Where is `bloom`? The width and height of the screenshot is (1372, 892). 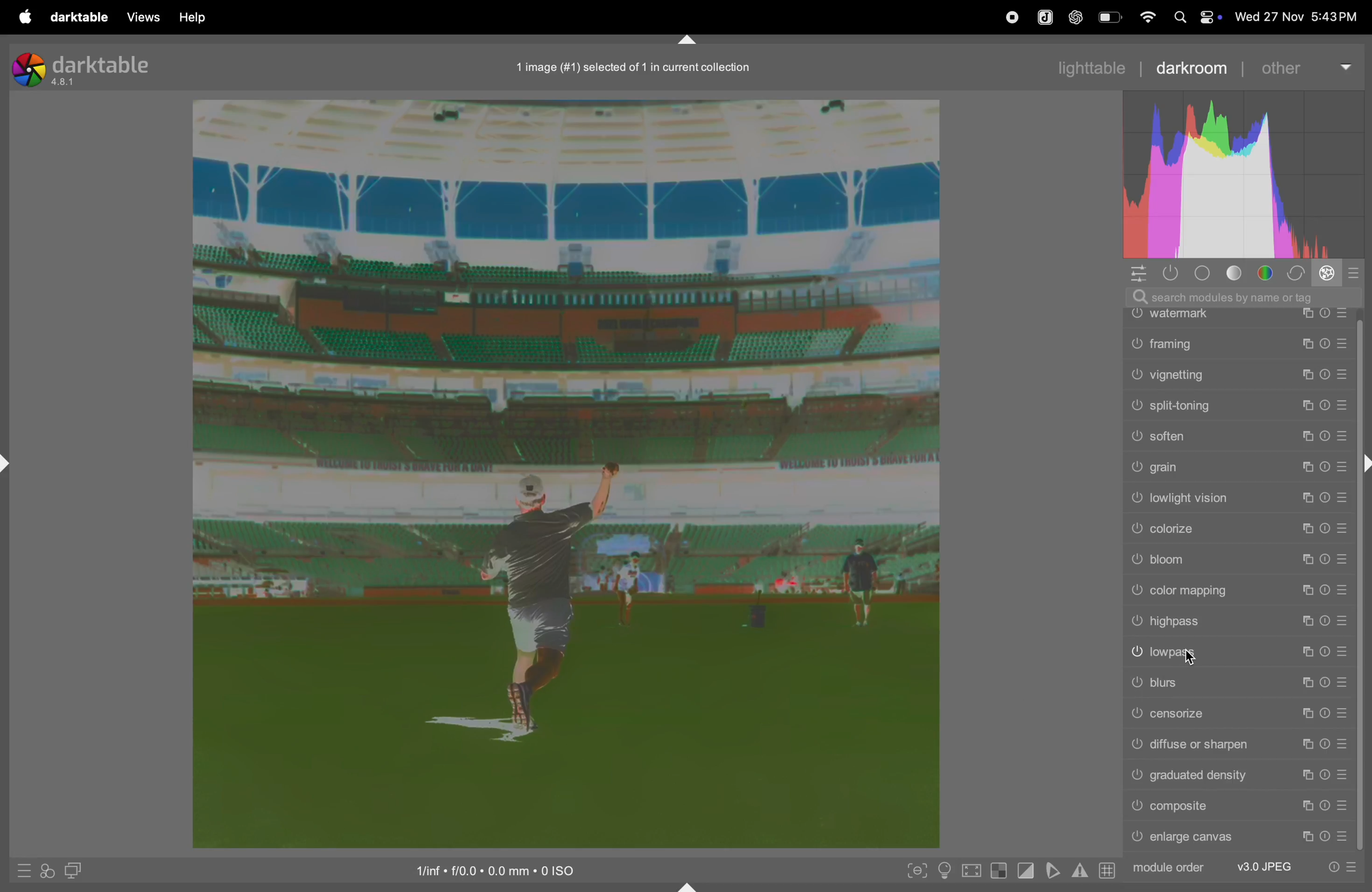 bloom is located at coordinates (1242, 561).